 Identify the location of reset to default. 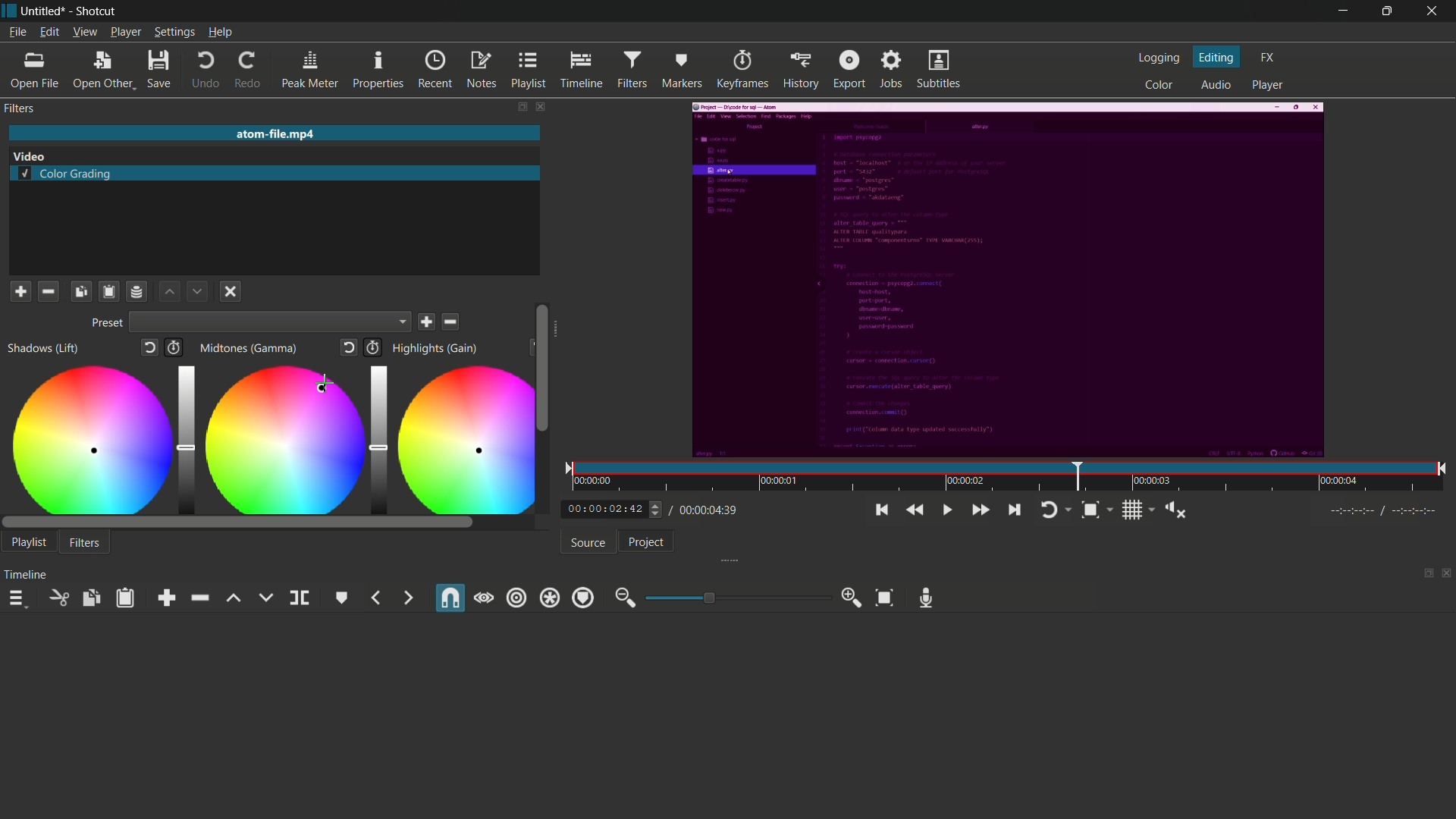
(350, 348).